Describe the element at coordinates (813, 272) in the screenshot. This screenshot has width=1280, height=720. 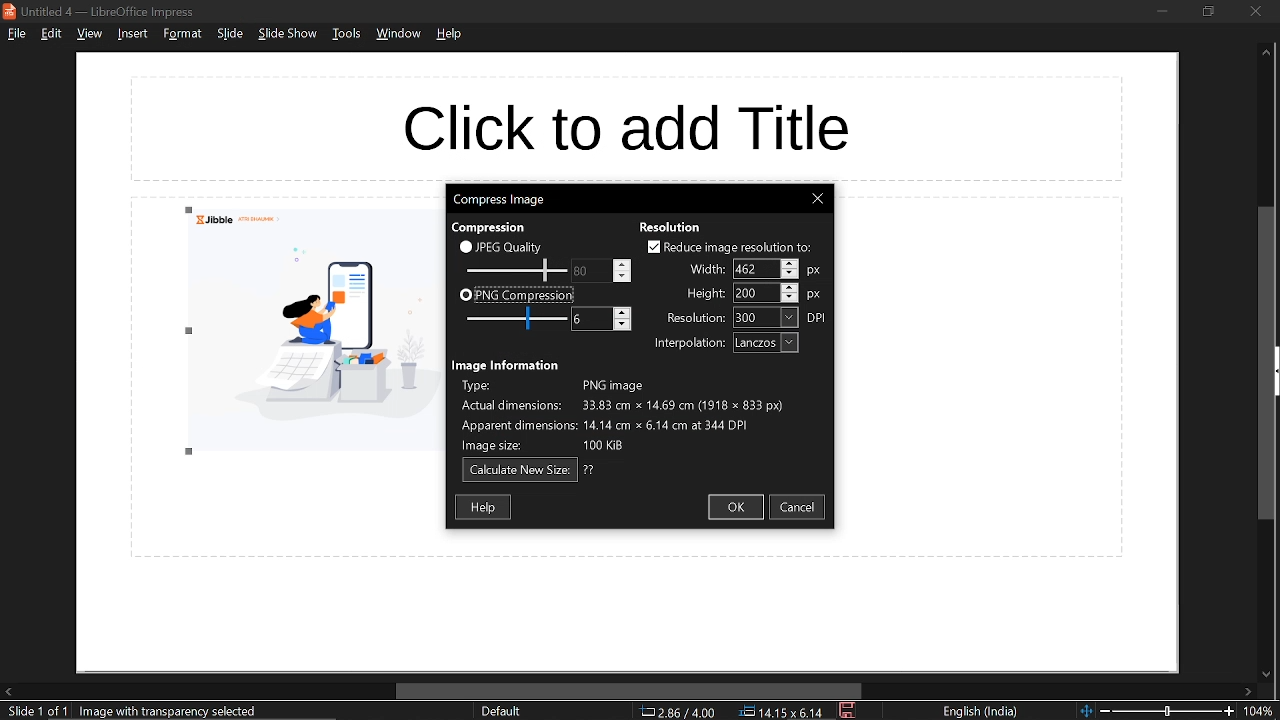
I see `width unit: px` at that location.